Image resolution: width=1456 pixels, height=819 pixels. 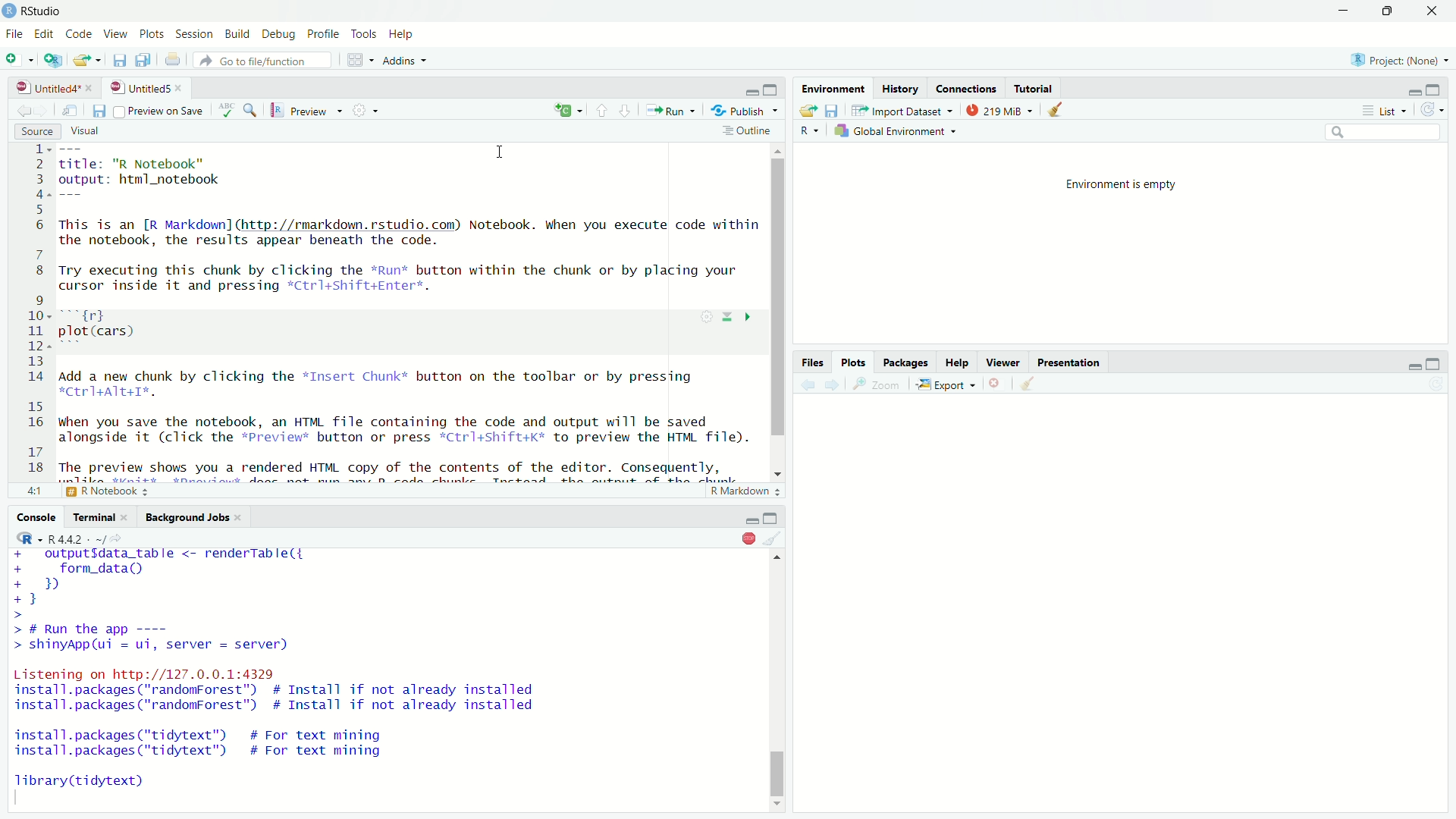 What do you see at coordinates (227, 110) in the screenshot?
I see `spelling` at bounding box center [227, 110].